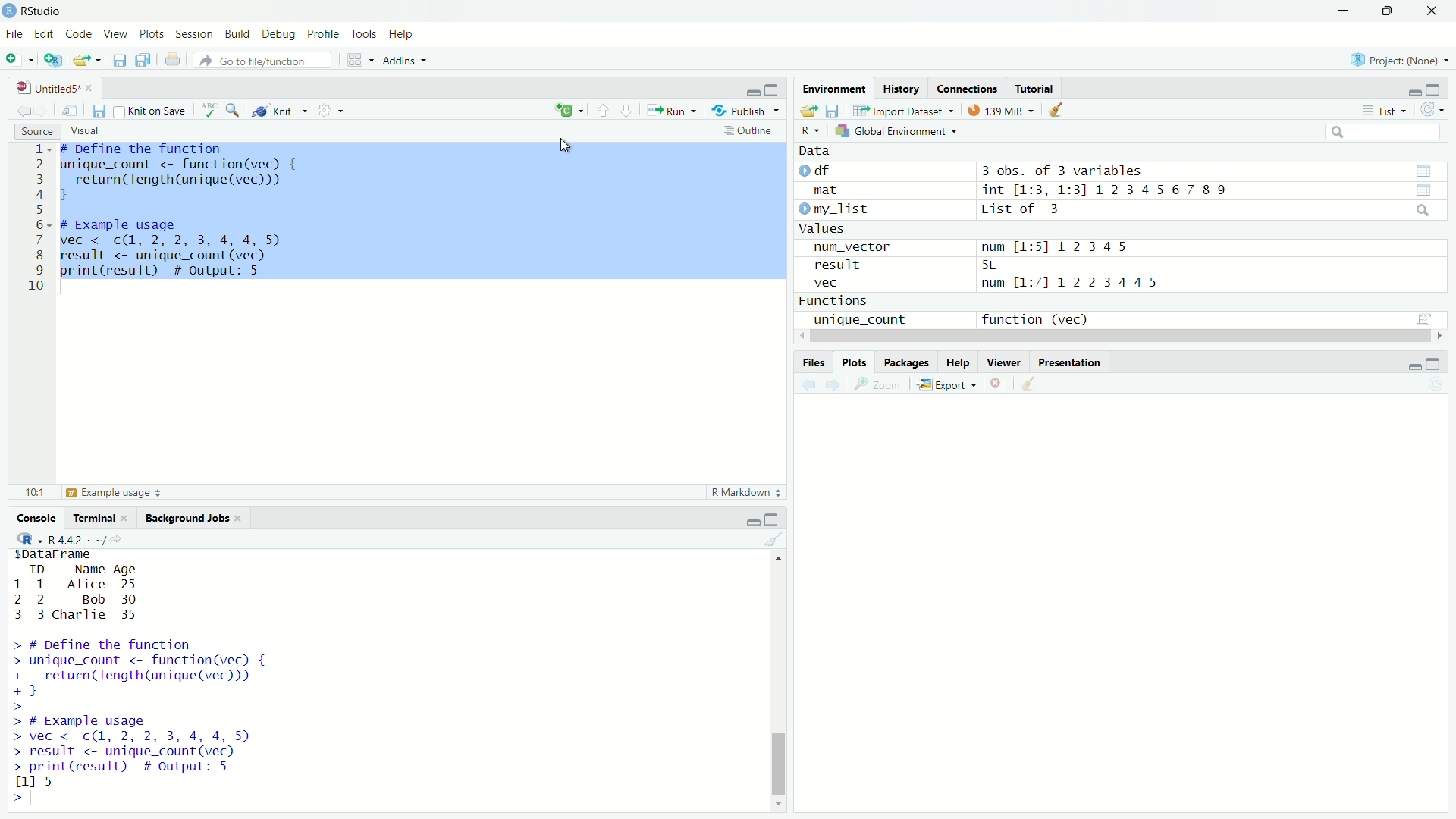 The image size is (1456, 819). Describe the element at coordinates (280, 34) in the screenshot. I see `Debug` at that location.